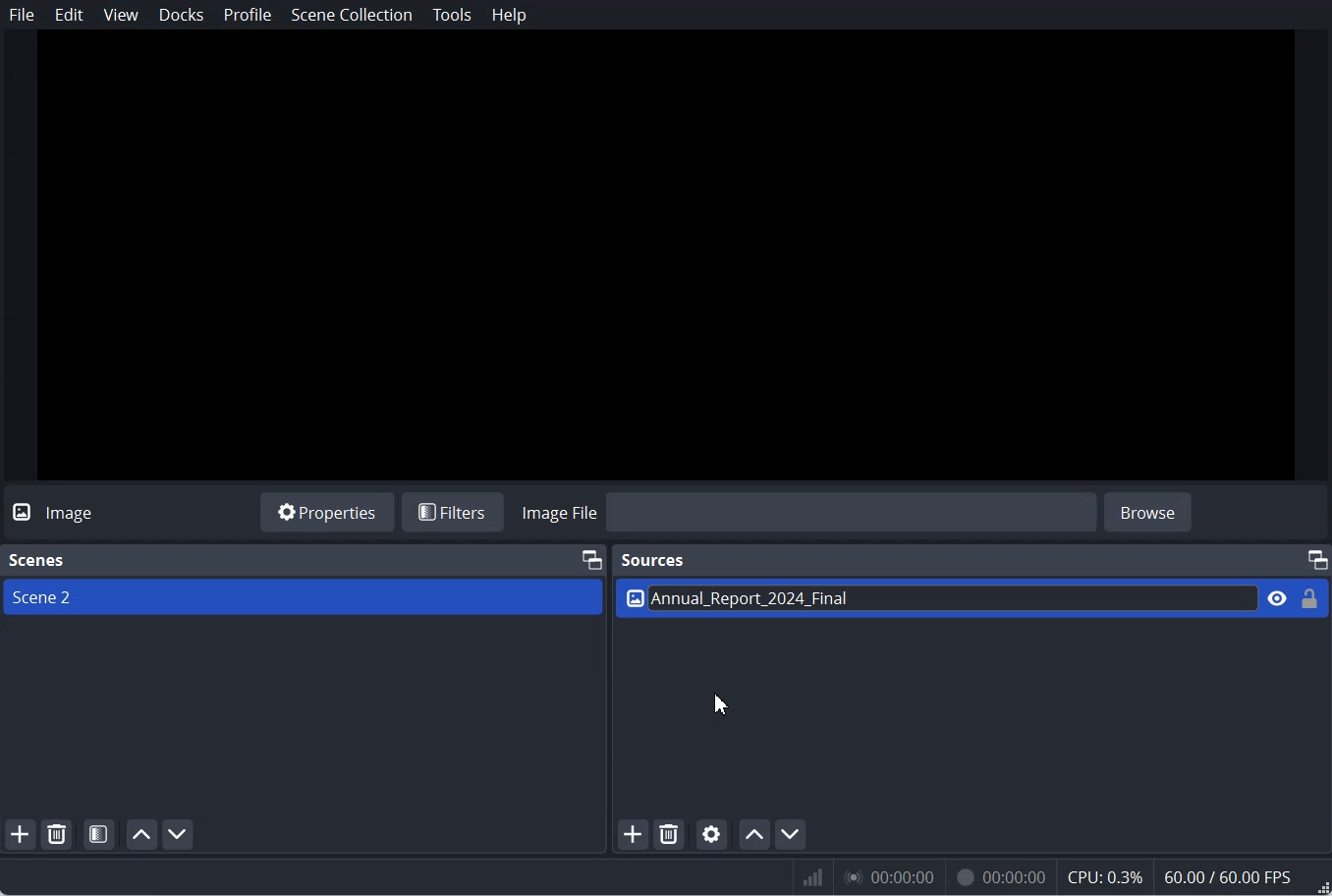  I want to click on Open Scene Filter, so click(99, 834).